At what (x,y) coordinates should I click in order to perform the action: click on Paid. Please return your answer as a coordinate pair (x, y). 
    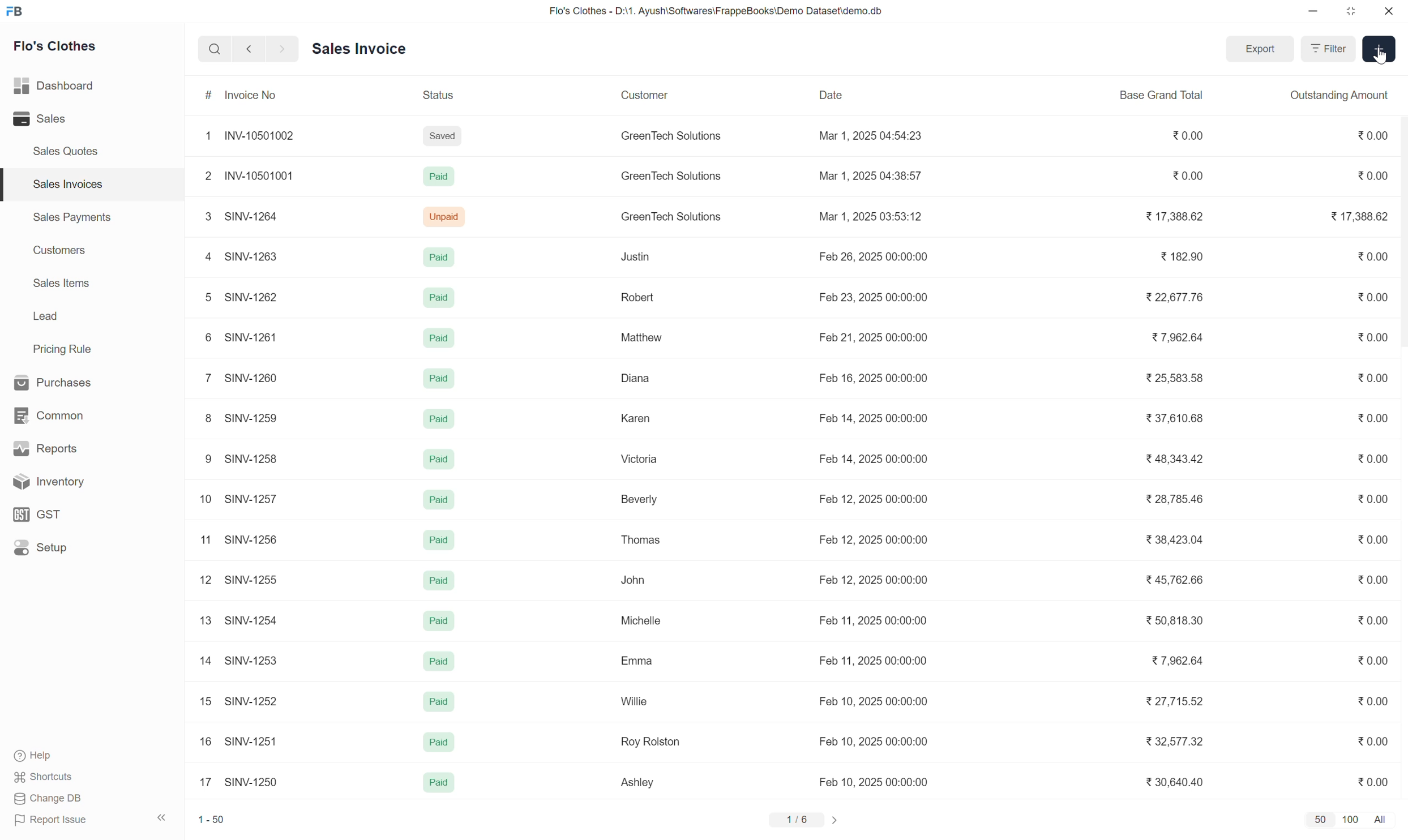
    Looking at the image, I should click on (439, 422).